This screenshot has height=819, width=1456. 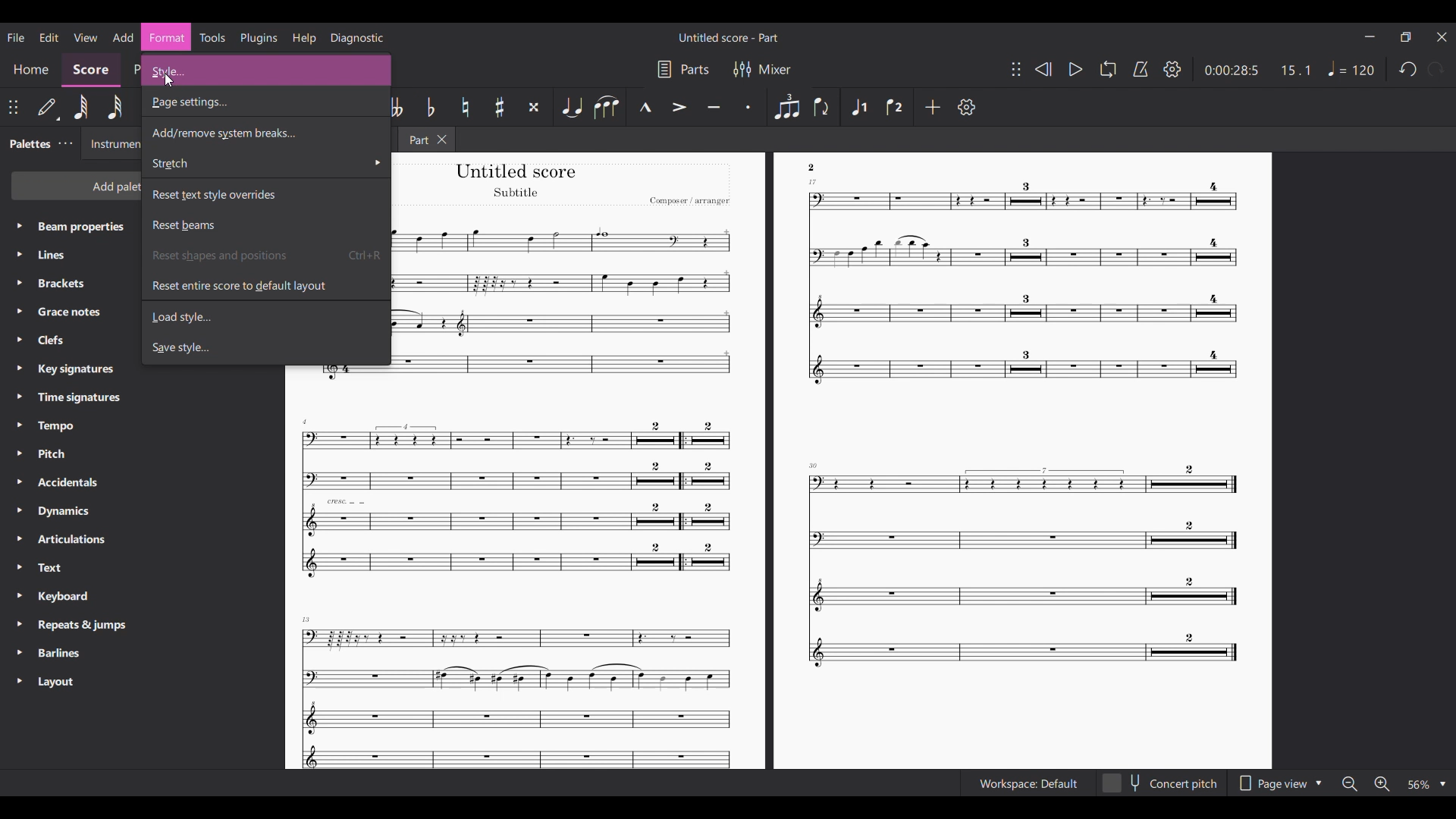 I want to click on View menu, so click(x=85, y=37).